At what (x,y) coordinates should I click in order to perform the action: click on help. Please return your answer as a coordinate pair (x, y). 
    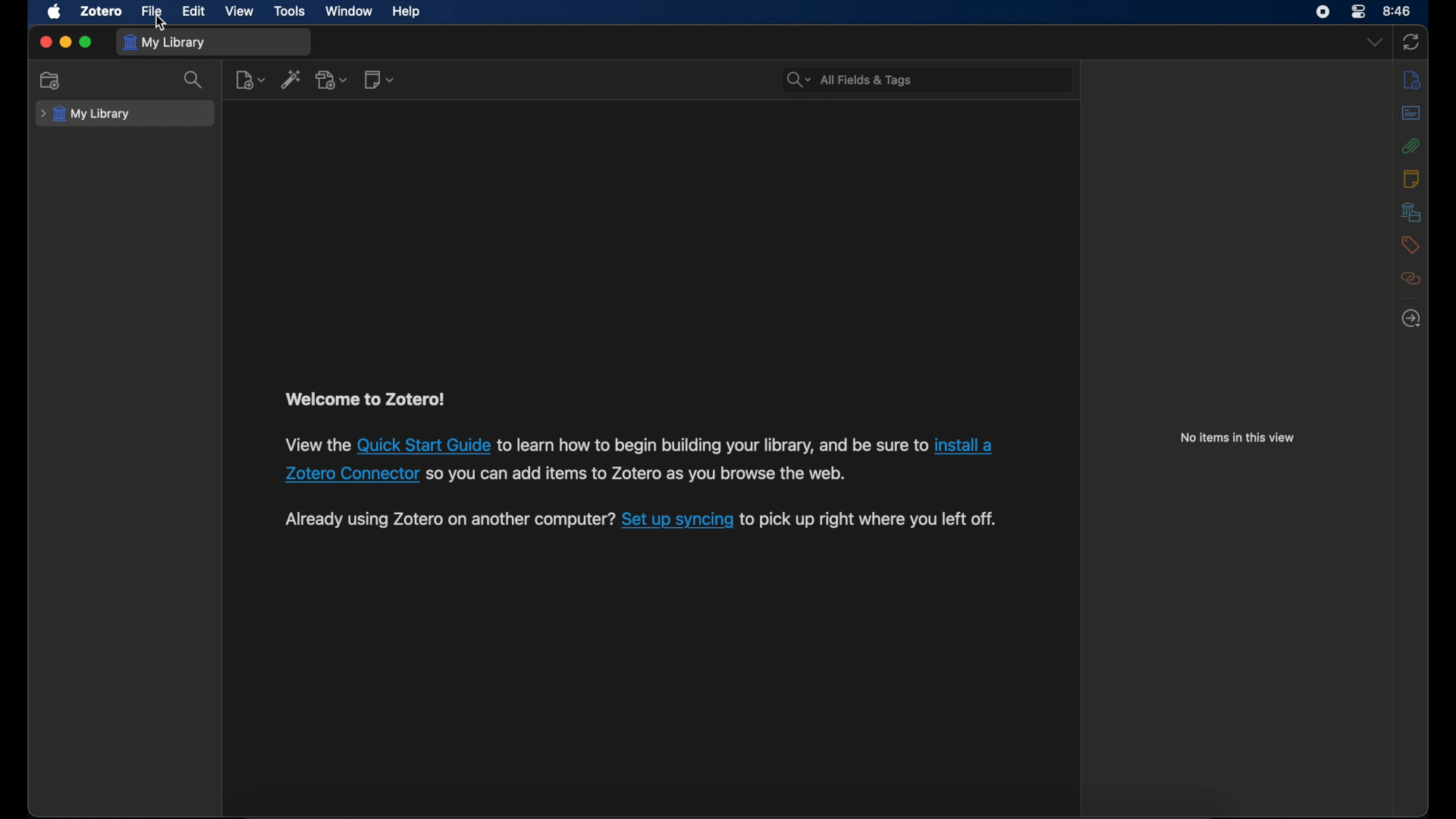
    Looking at the image, I should click on (406, 12).